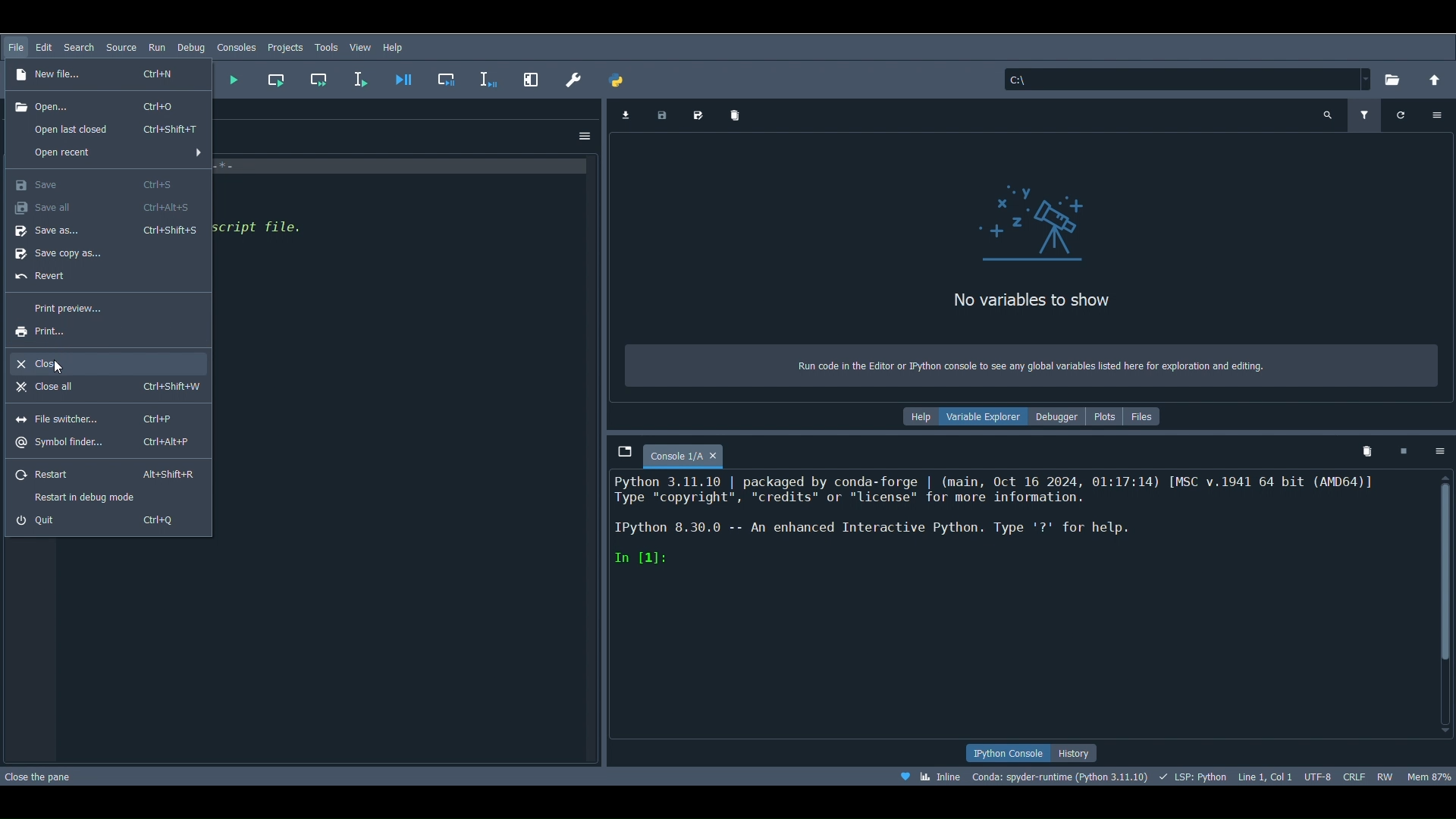 This screenshot has height=819, width=1456. What do you see at coordinates (933, 777) in the screenshot?
I see `Click to toggle between inline and interactive Matplotlib plotting` at bounding box center [933, 777].